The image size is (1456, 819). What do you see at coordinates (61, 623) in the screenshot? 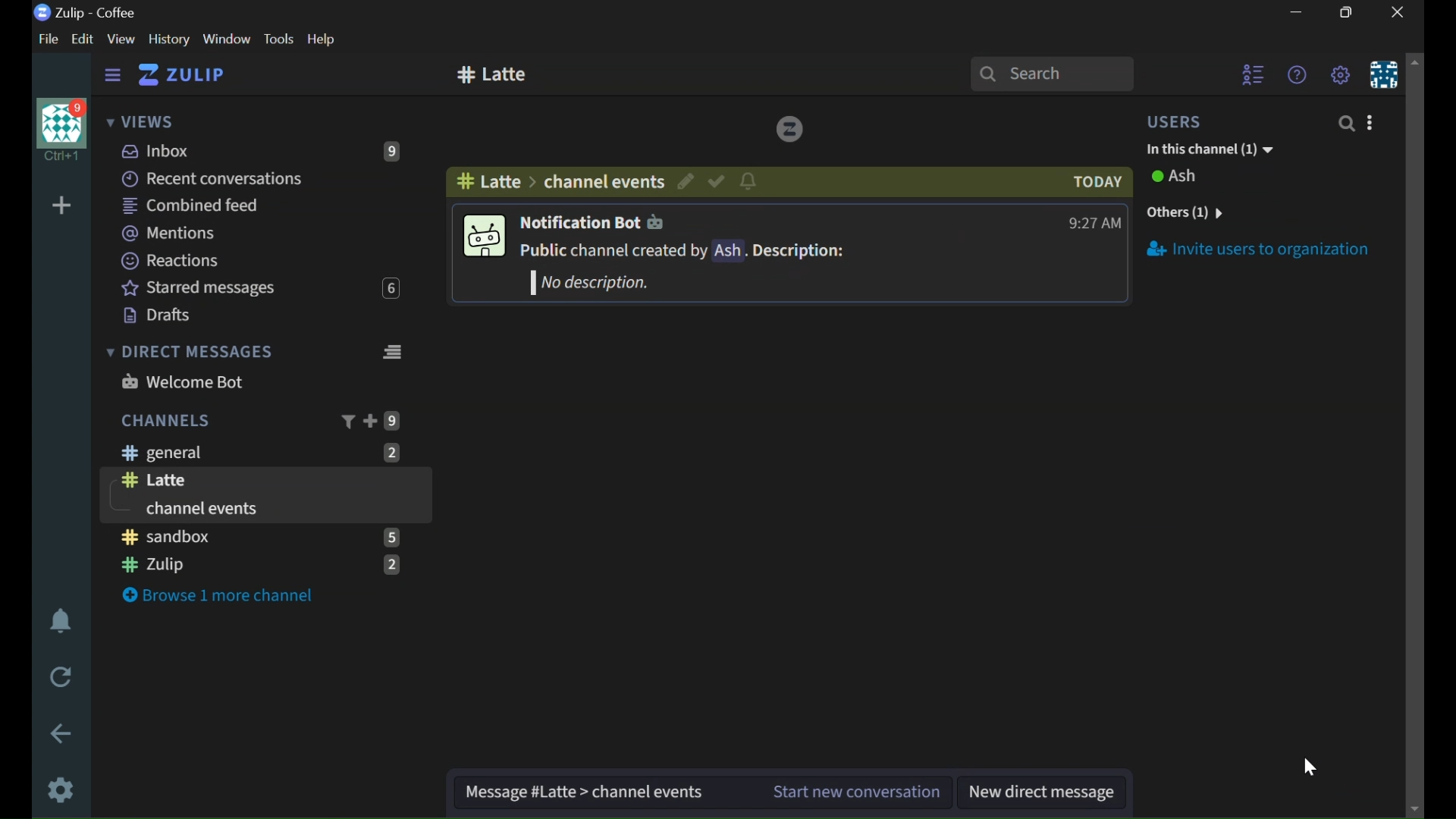
I see `ENABLE DO NOT DISTURBE` at bounding box center [61, 623].